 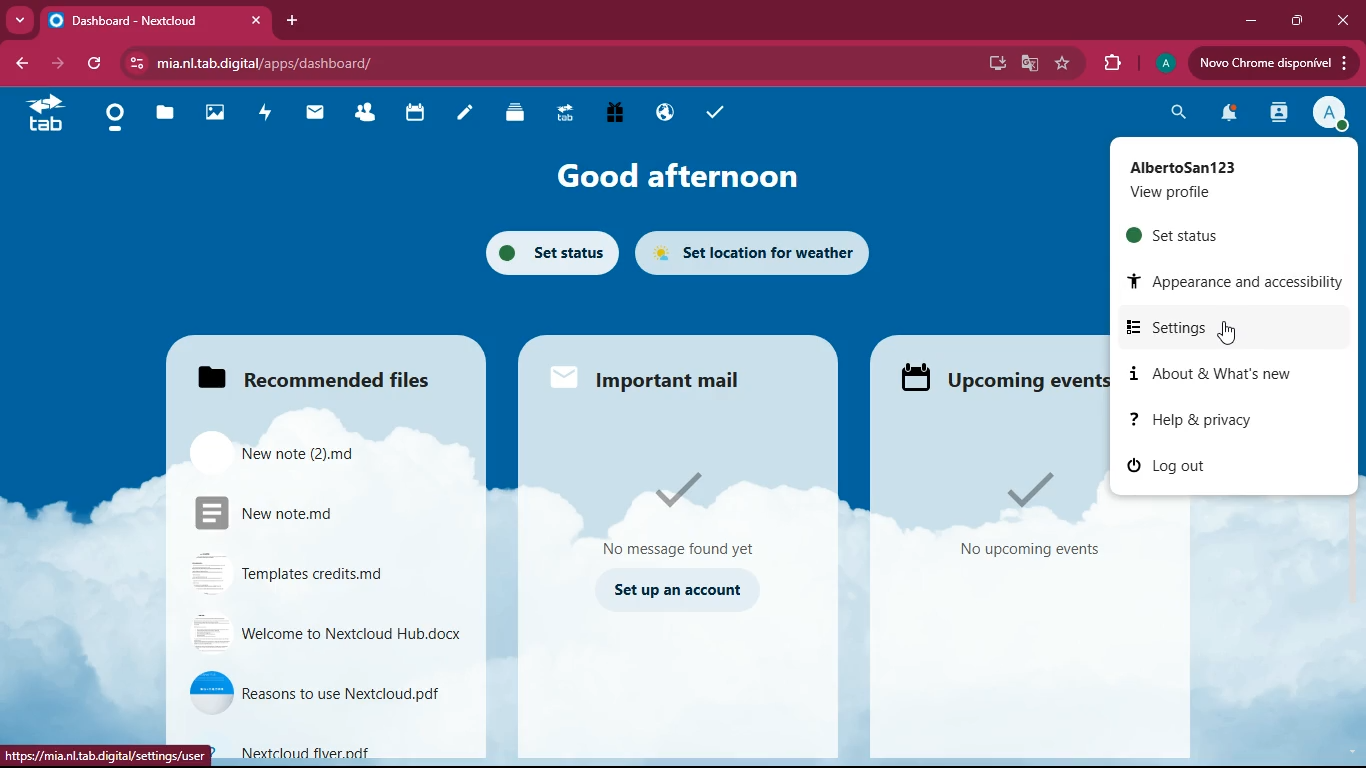 What do you see at coordinates (1223, 116) in the screenshot?
I see `notification` at bounding box center [1223, 116].